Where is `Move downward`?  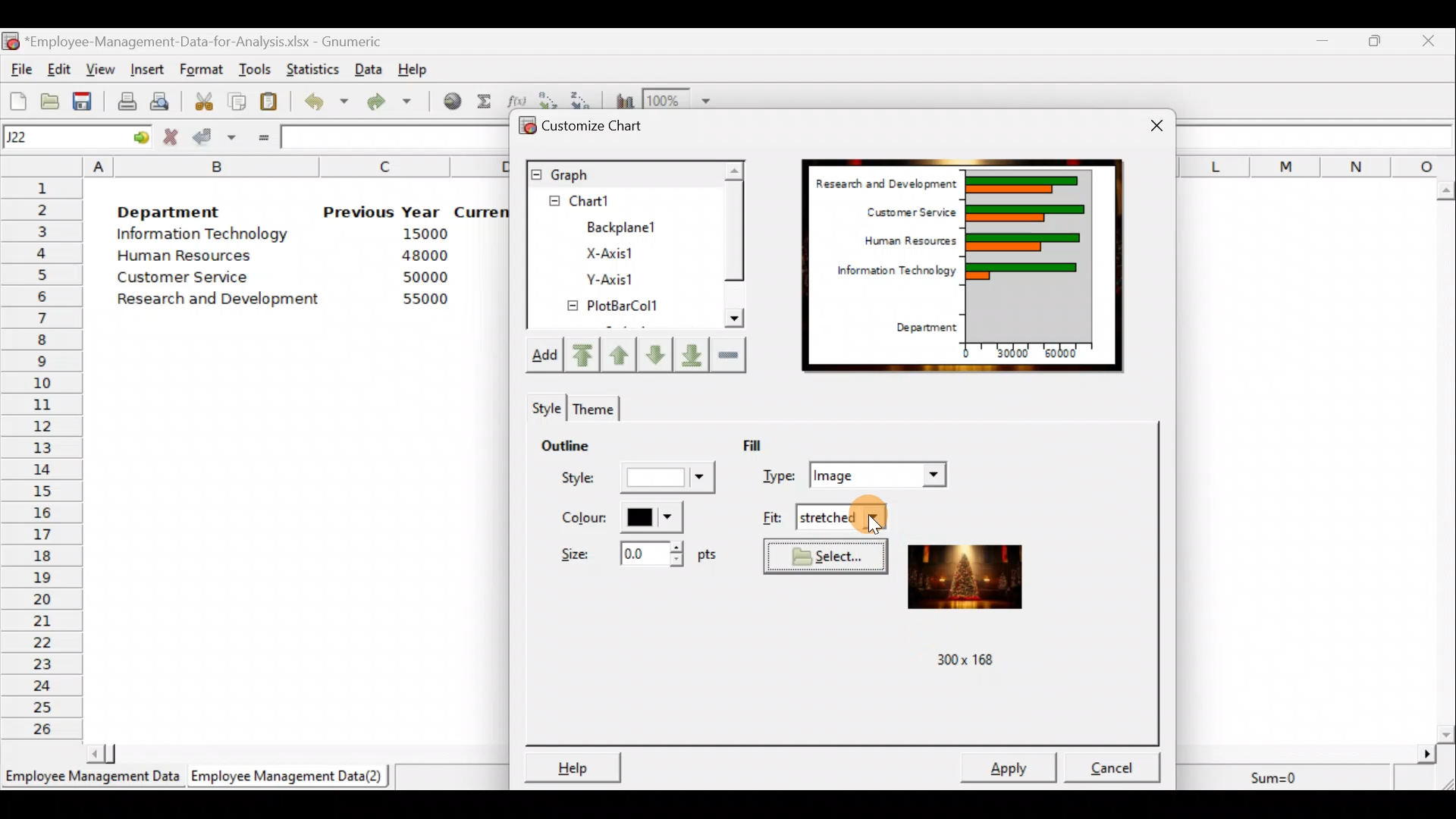 Move downward is located at coordinates (688, 352).